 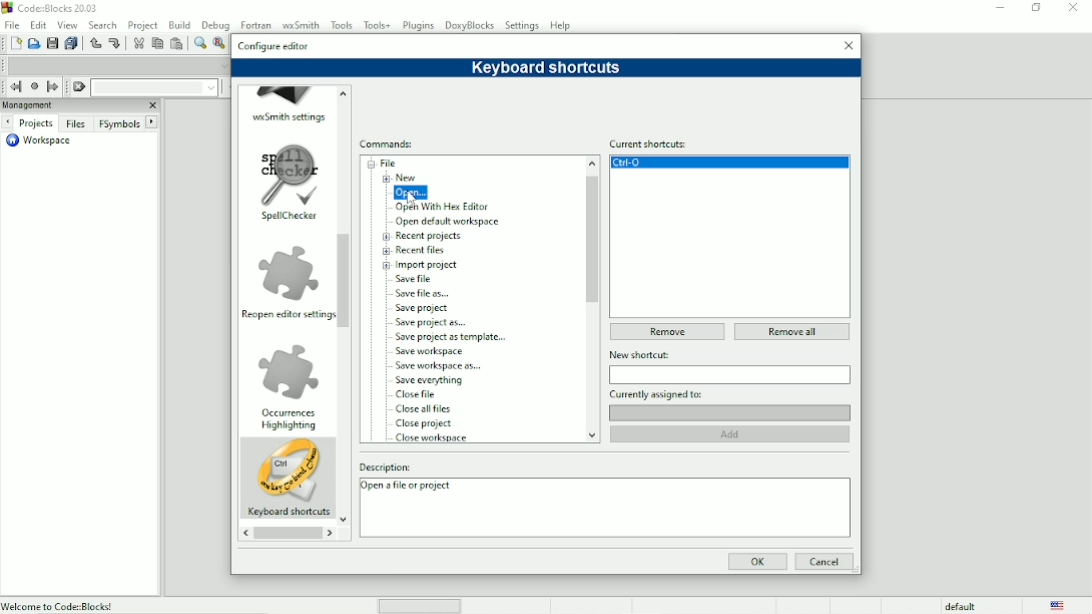 What do you see at coordinates (730, 394) in the screenshot?
I see `Currently assigned to` at bounding box center [730, 394].